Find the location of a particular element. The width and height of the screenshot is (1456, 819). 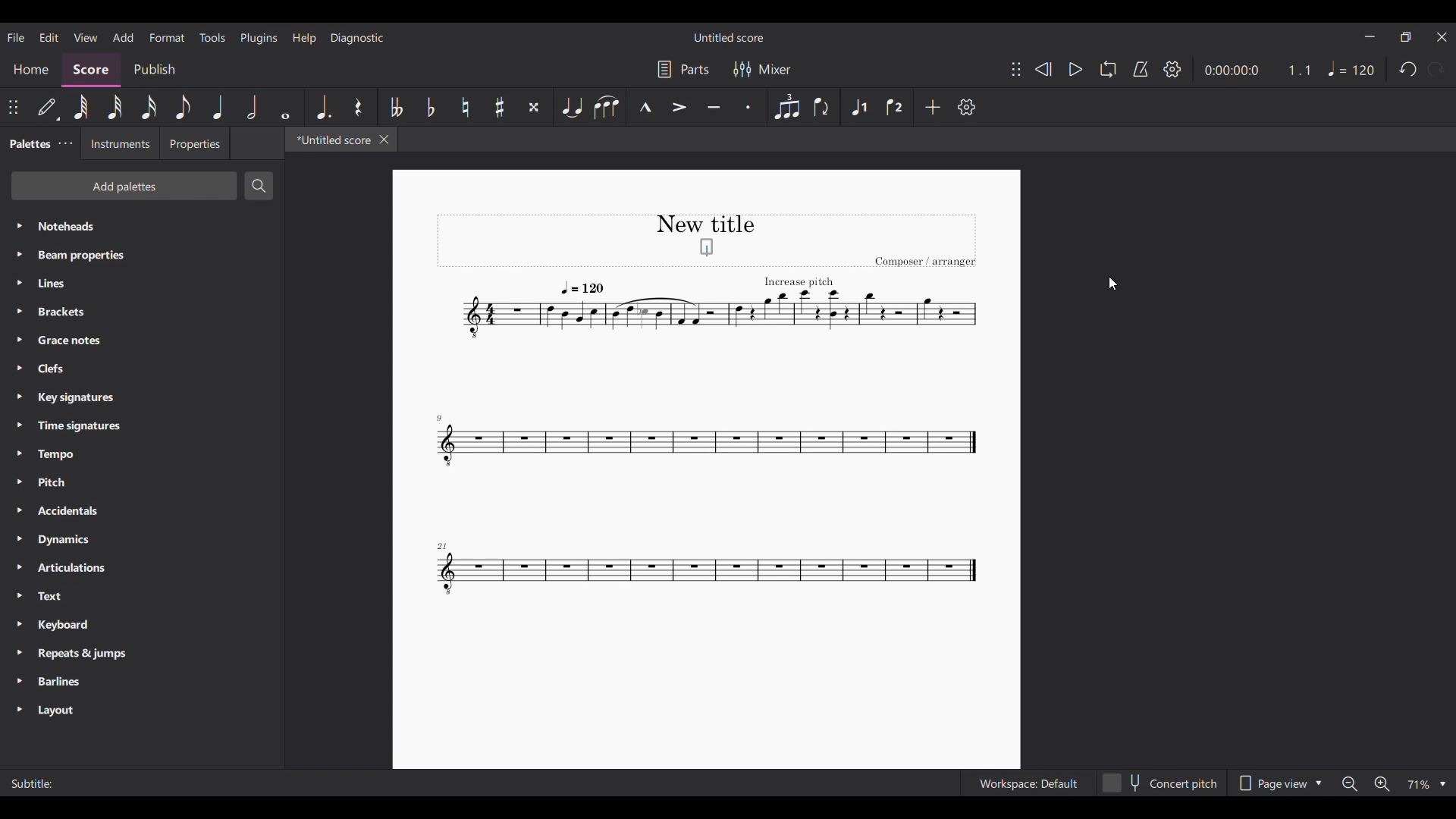

Cursor position unchanged is located at coordinates (1112, 284).